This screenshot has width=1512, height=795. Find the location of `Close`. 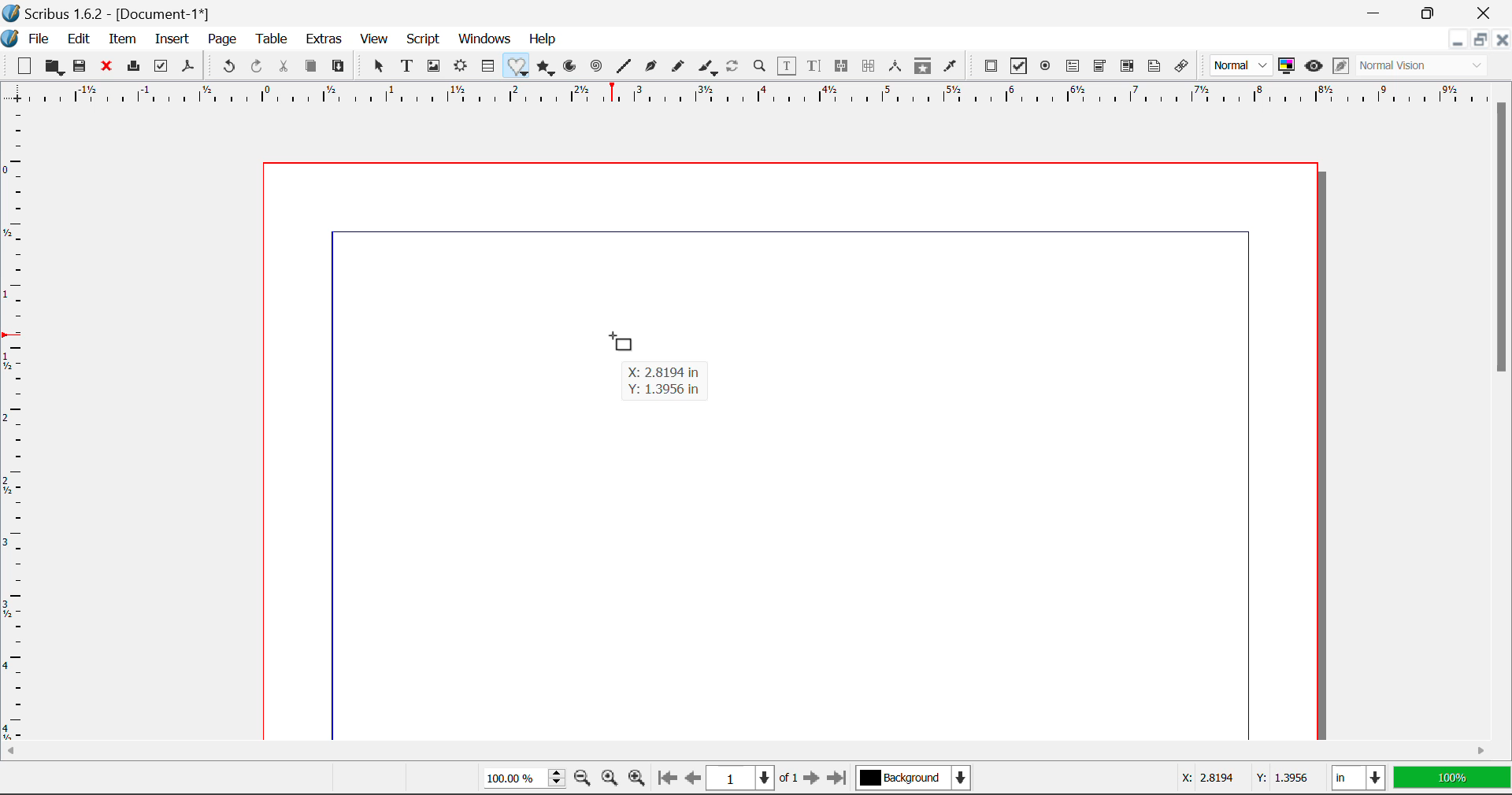

Close is located at coordinates (1503, 42).